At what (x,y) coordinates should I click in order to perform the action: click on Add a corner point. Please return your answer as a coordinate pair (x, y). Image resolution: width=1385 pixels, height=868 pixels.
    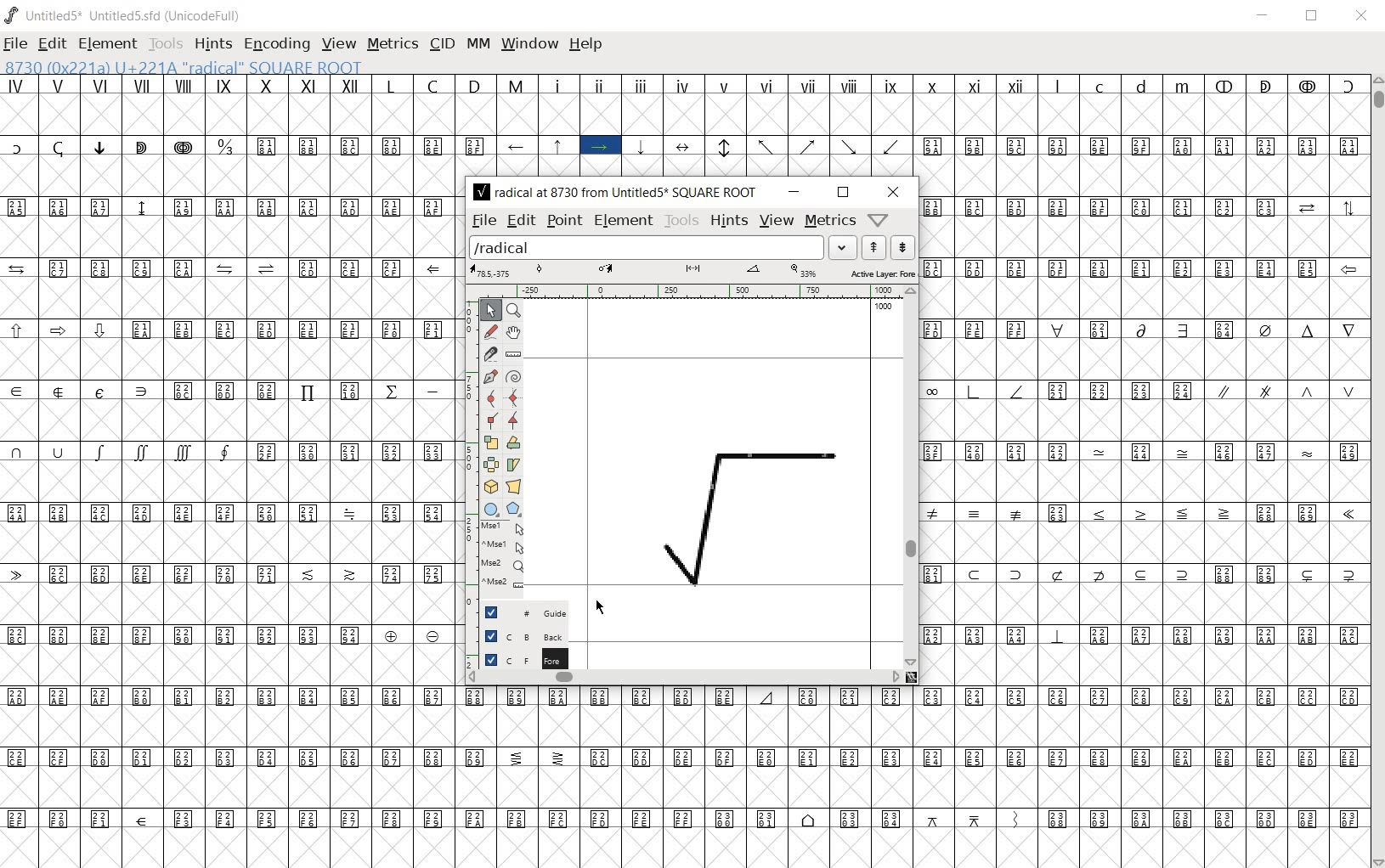
    Looking at the image, I should click on (516, 420).